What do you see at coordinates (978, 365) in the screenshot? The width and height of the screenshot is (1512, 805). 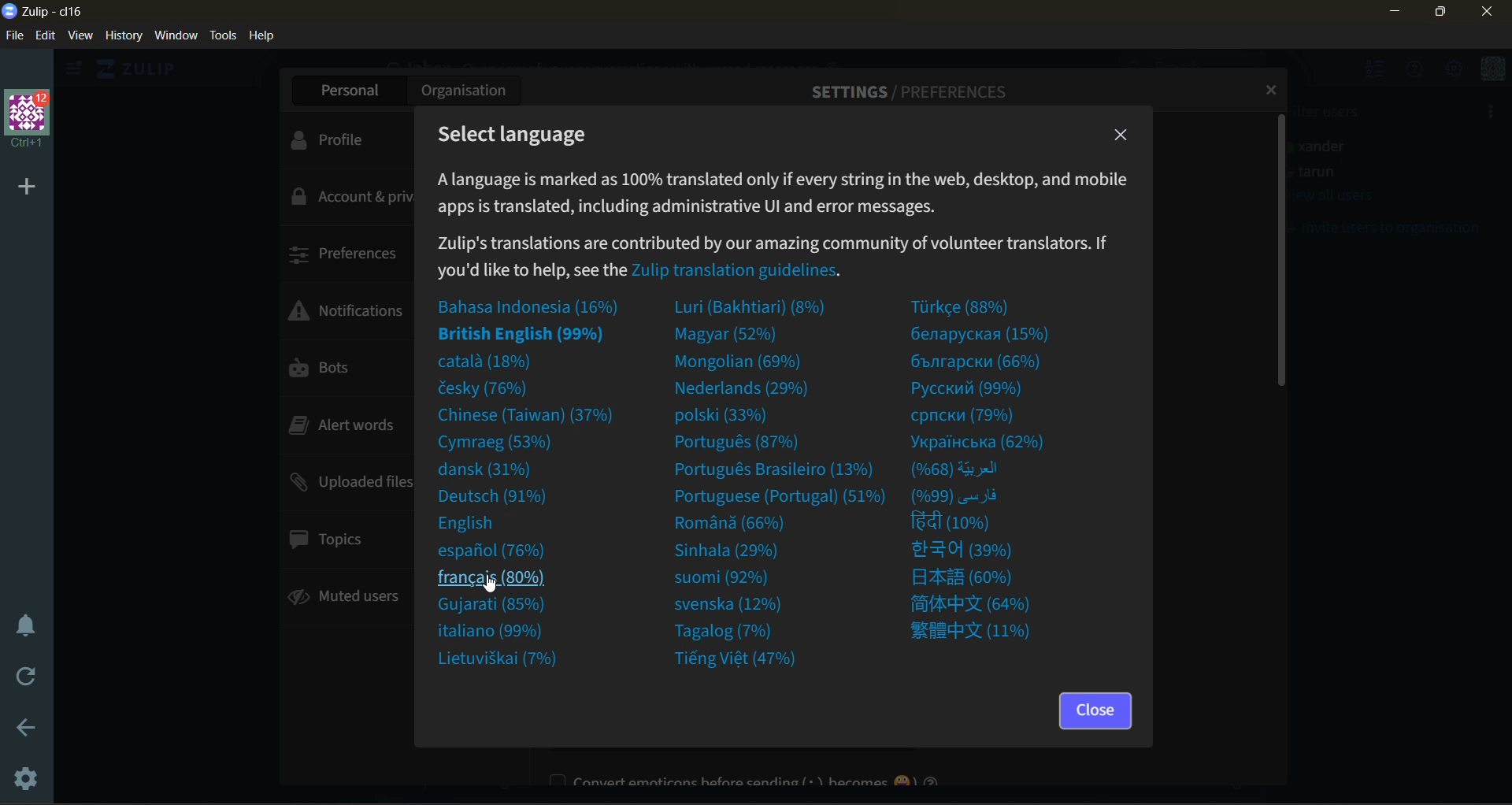 I see `foreign language` at bounding box center [978, 365].